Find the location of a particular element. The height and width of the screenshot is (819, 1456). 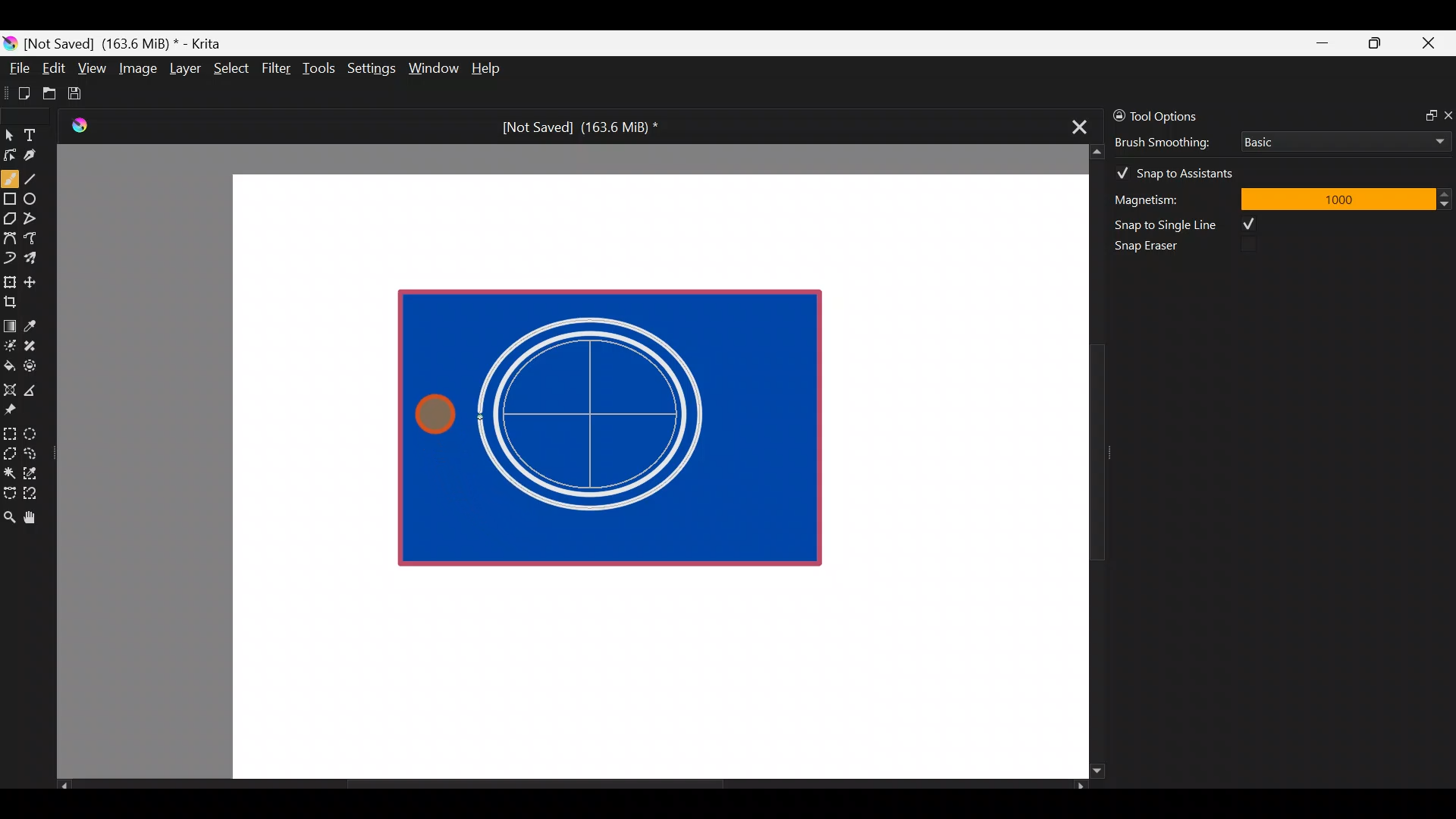

Multibrush tool is located at coordinates (36, 257).